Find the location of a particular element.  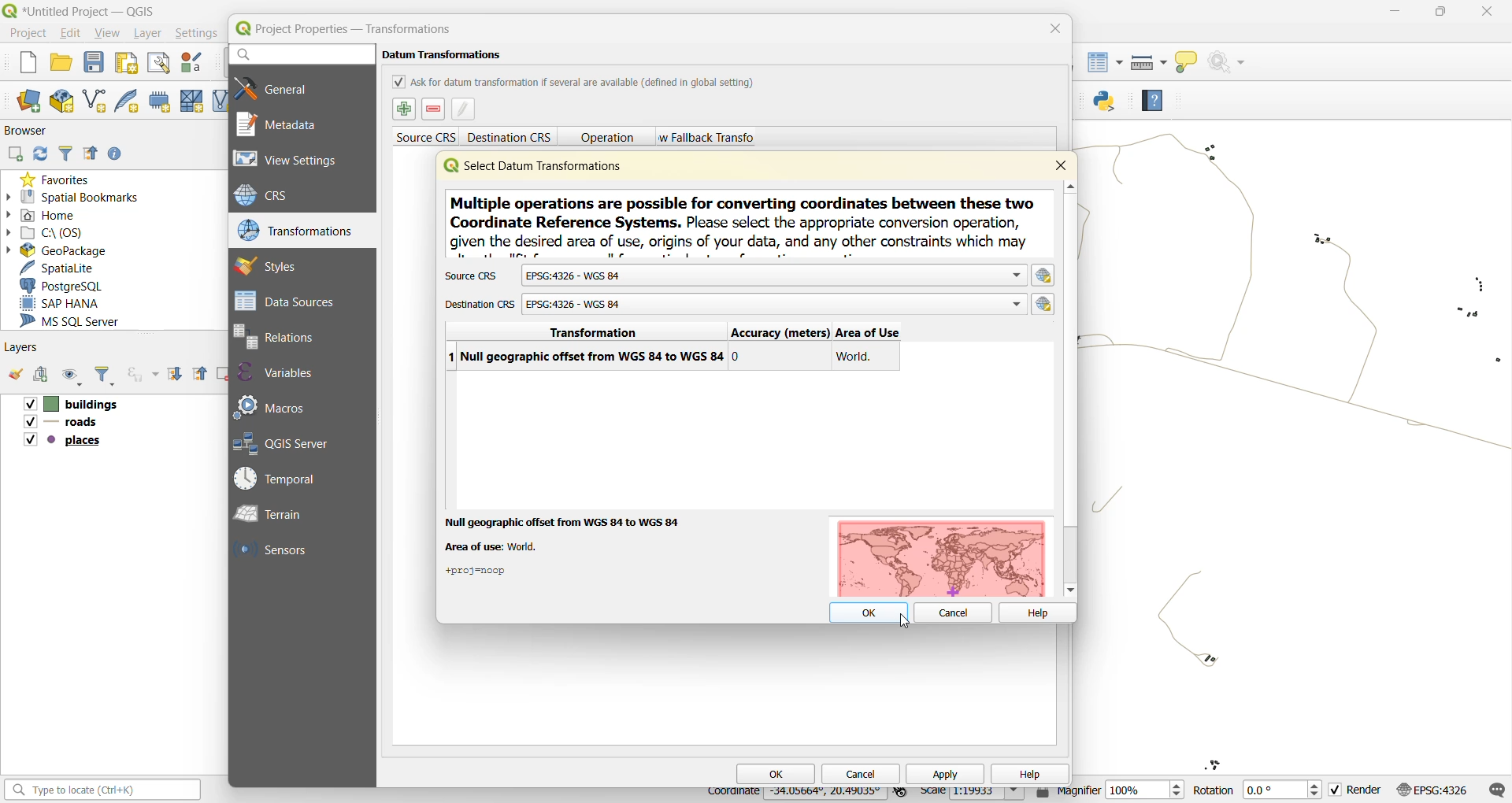

minimize is located at coordinates (1392, 13).